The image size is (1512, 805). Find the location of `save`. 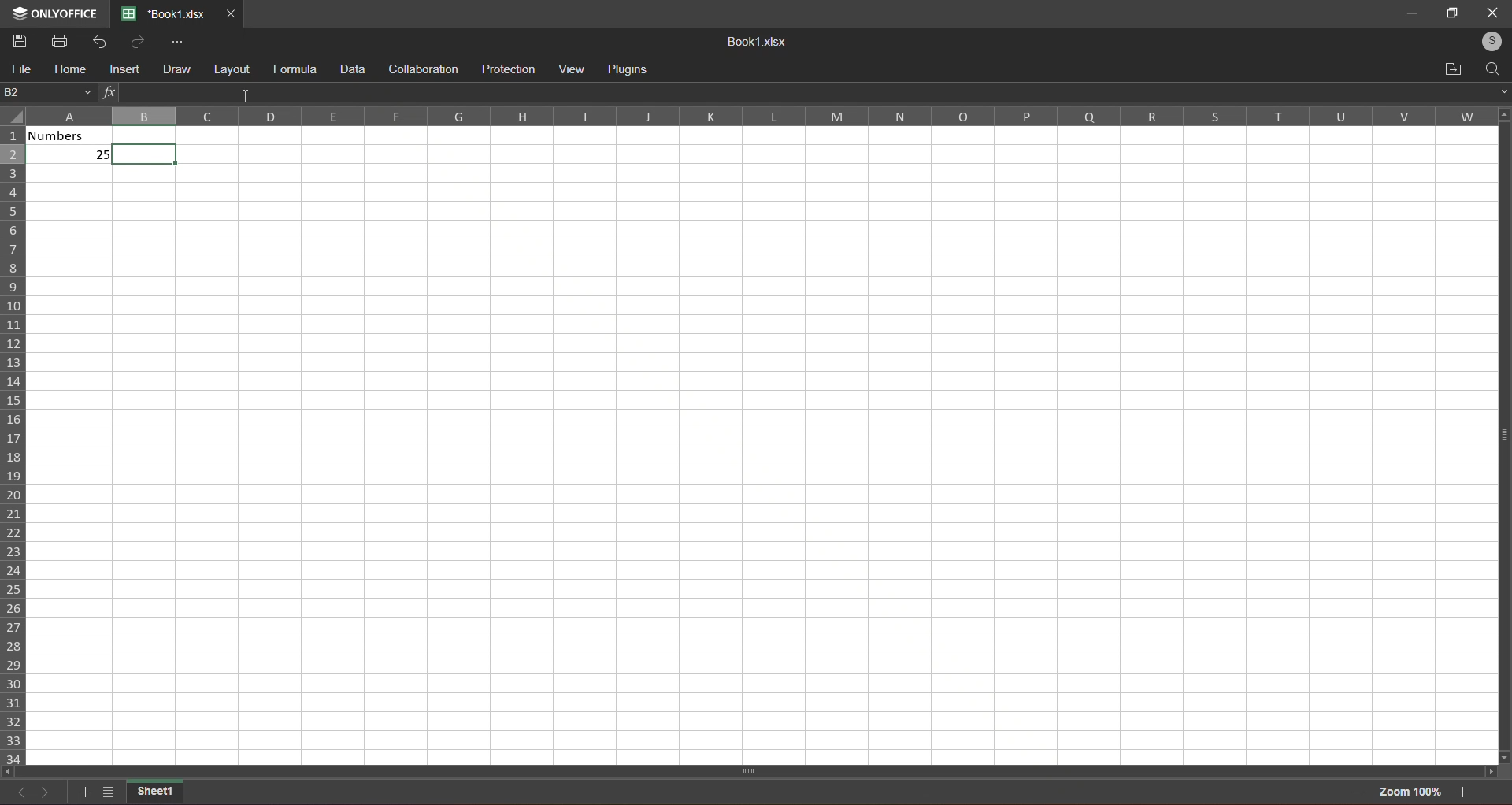

save is located at coordinates (18, 40).